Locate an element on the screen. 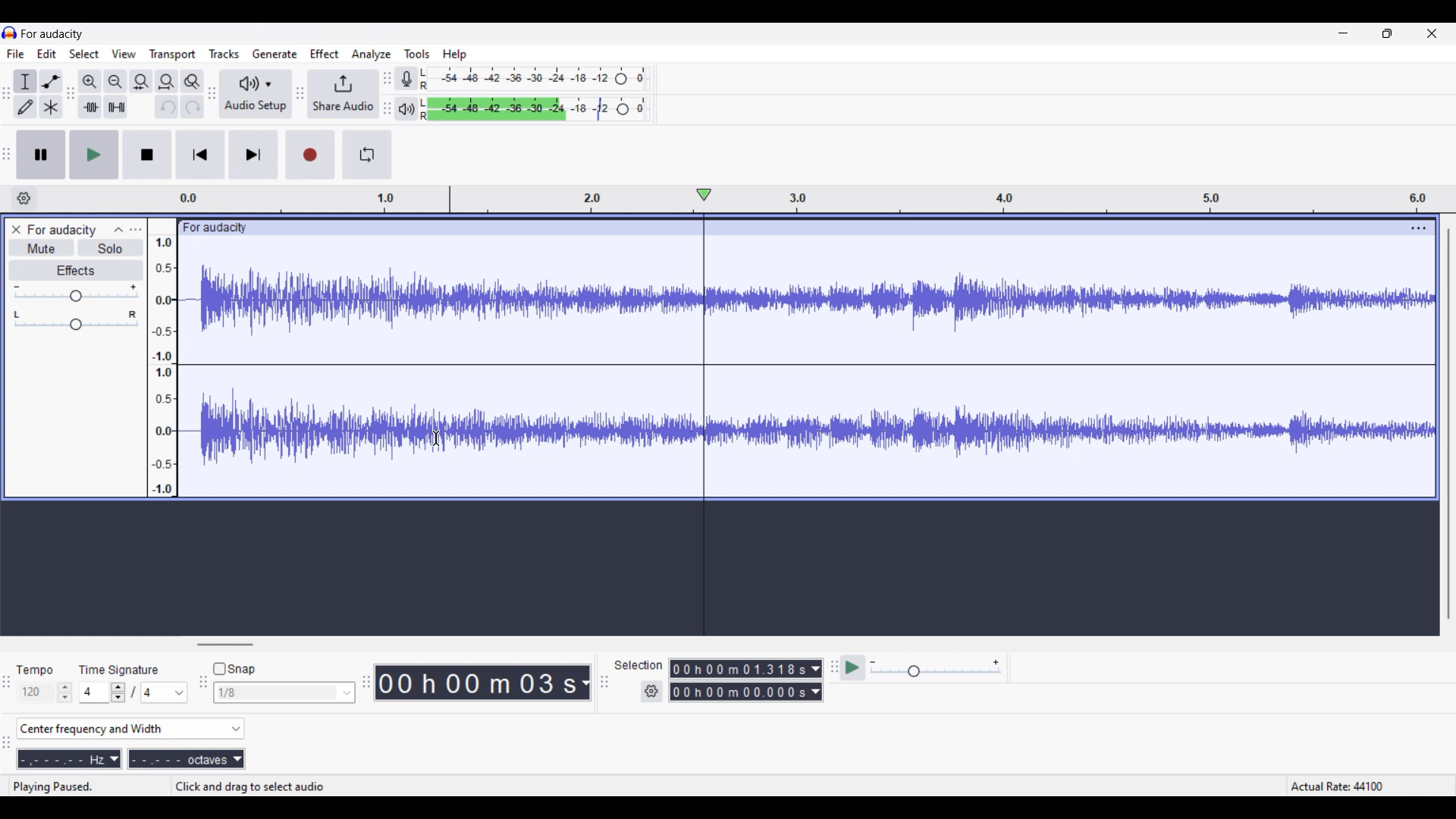 The width and height of the screenshot is (1456, 819). Fit project to width  is located at coordinates (166, 82).